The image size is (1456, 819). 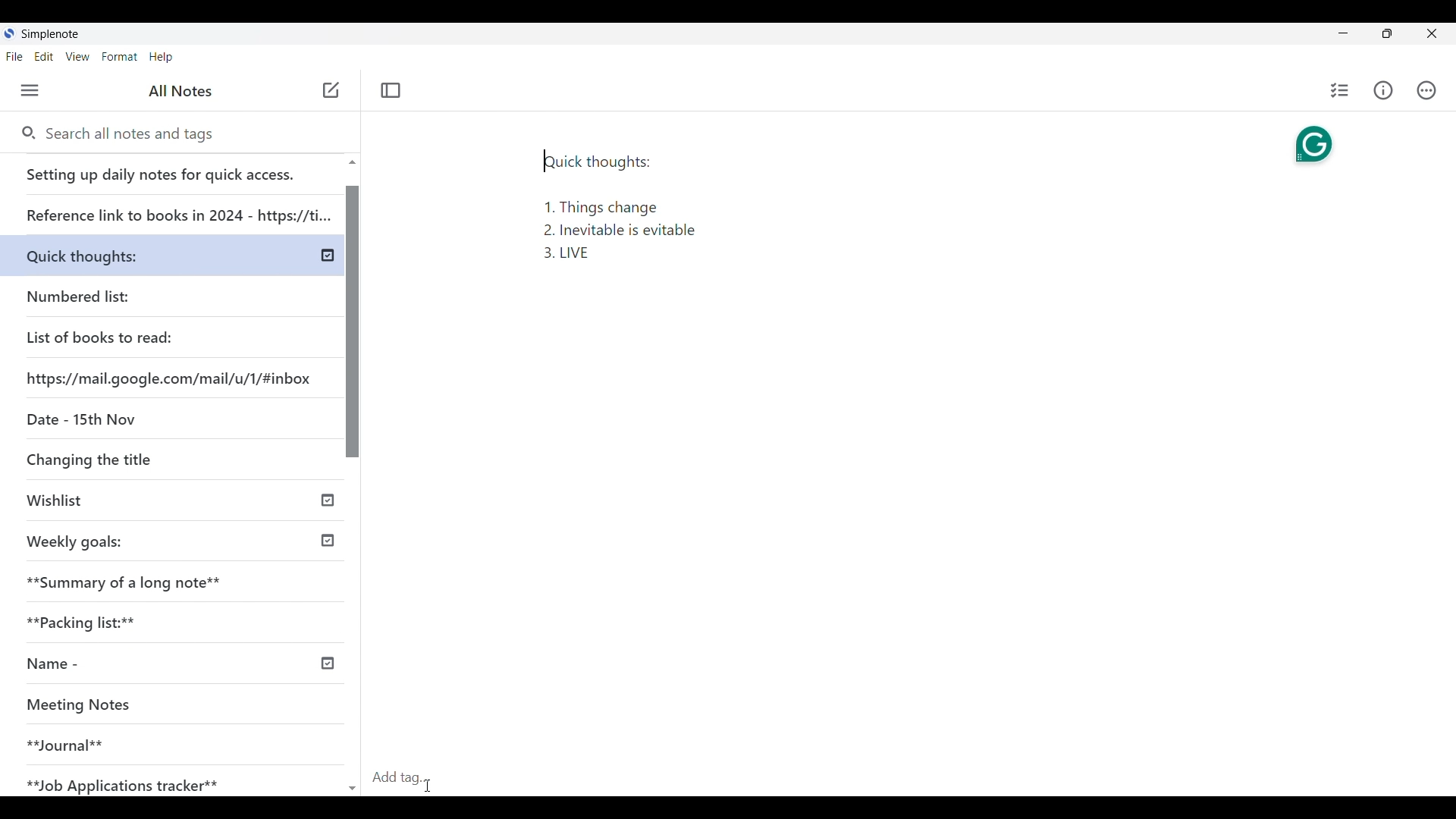 I want to click on Changing the title, so click(x=121, y=459).